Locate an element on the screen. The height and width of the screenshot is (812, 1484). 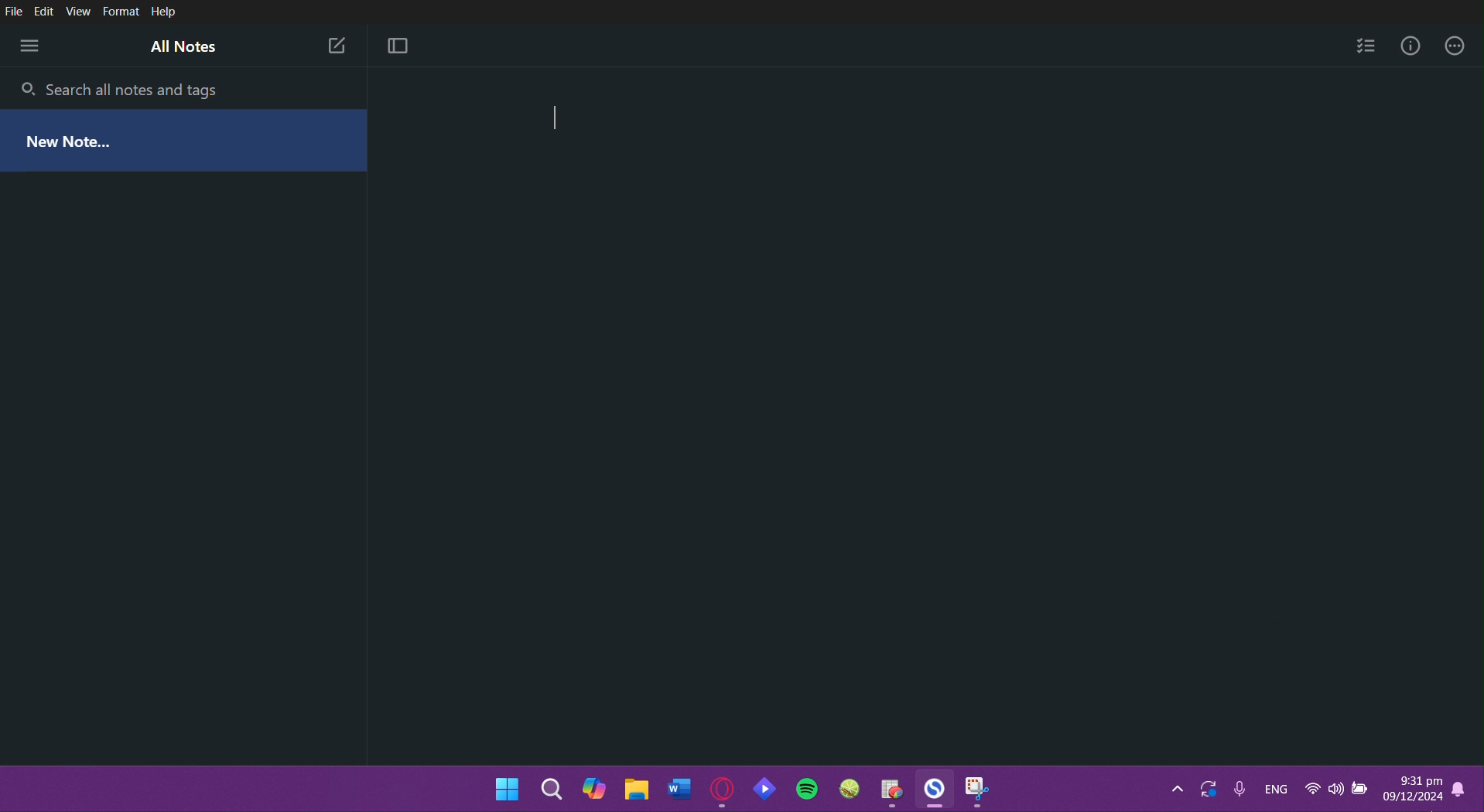
application is located at coordinates (918, 789).